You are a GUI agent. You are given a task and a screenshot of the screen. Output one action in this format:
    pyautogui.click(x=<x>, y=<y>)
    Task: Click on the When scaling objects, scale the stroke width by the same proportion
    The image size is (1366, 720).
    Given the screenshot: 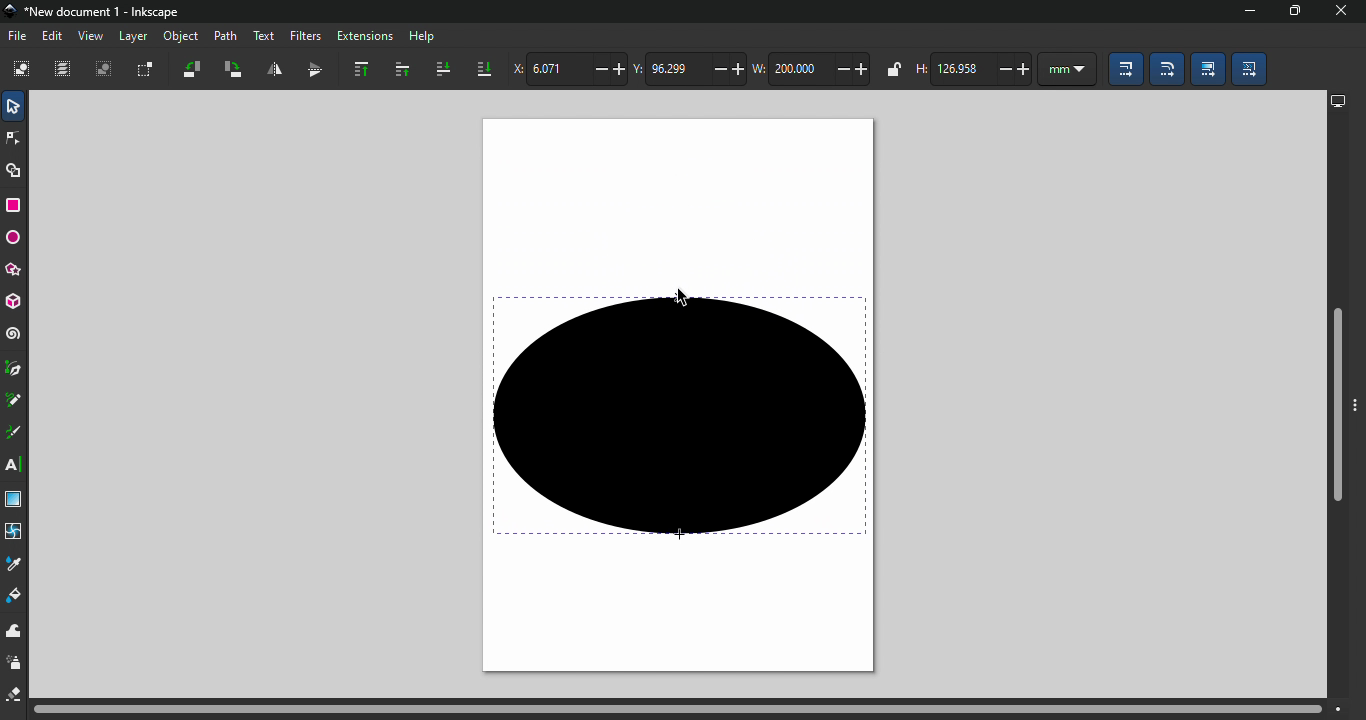 What is the action you would take?
    pyautogui.click(x=1128, y=71)
    